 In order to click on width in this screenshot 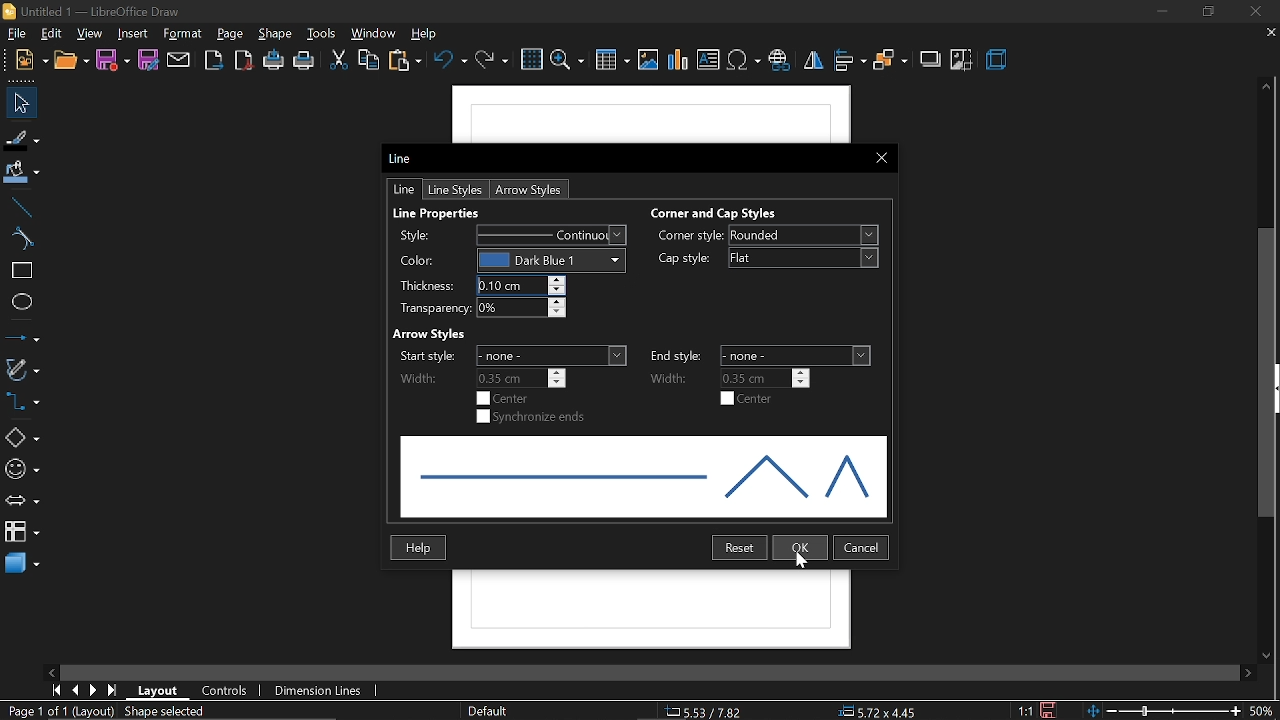, I will do `click(674, 377)`.